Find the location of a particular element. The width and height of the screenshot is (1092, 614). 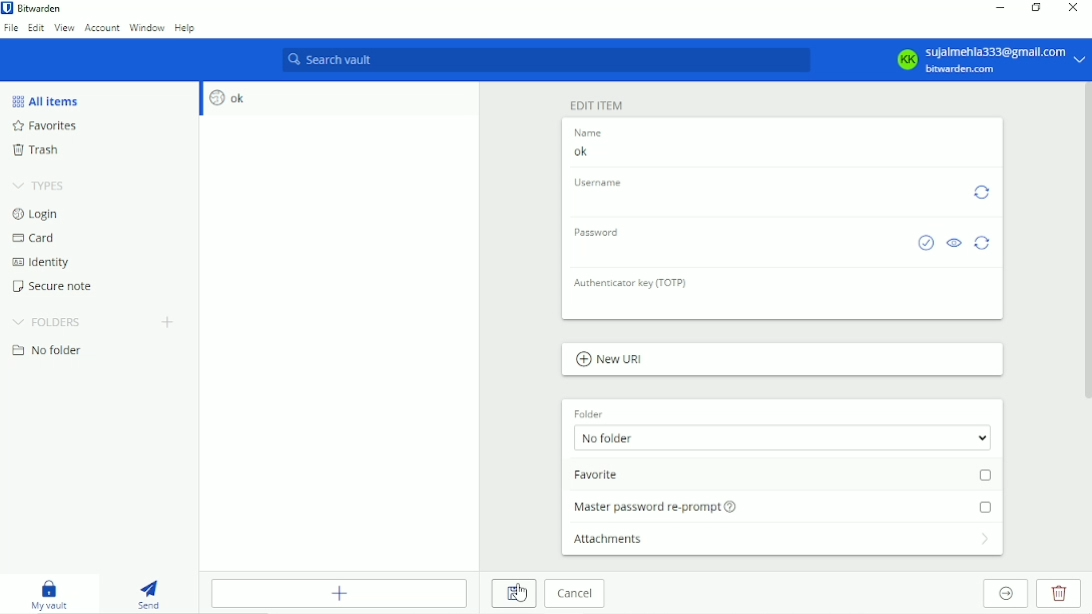

Updated: Dec 13, 2024, 11:41:44 AM is located at coordinates (765, 197).